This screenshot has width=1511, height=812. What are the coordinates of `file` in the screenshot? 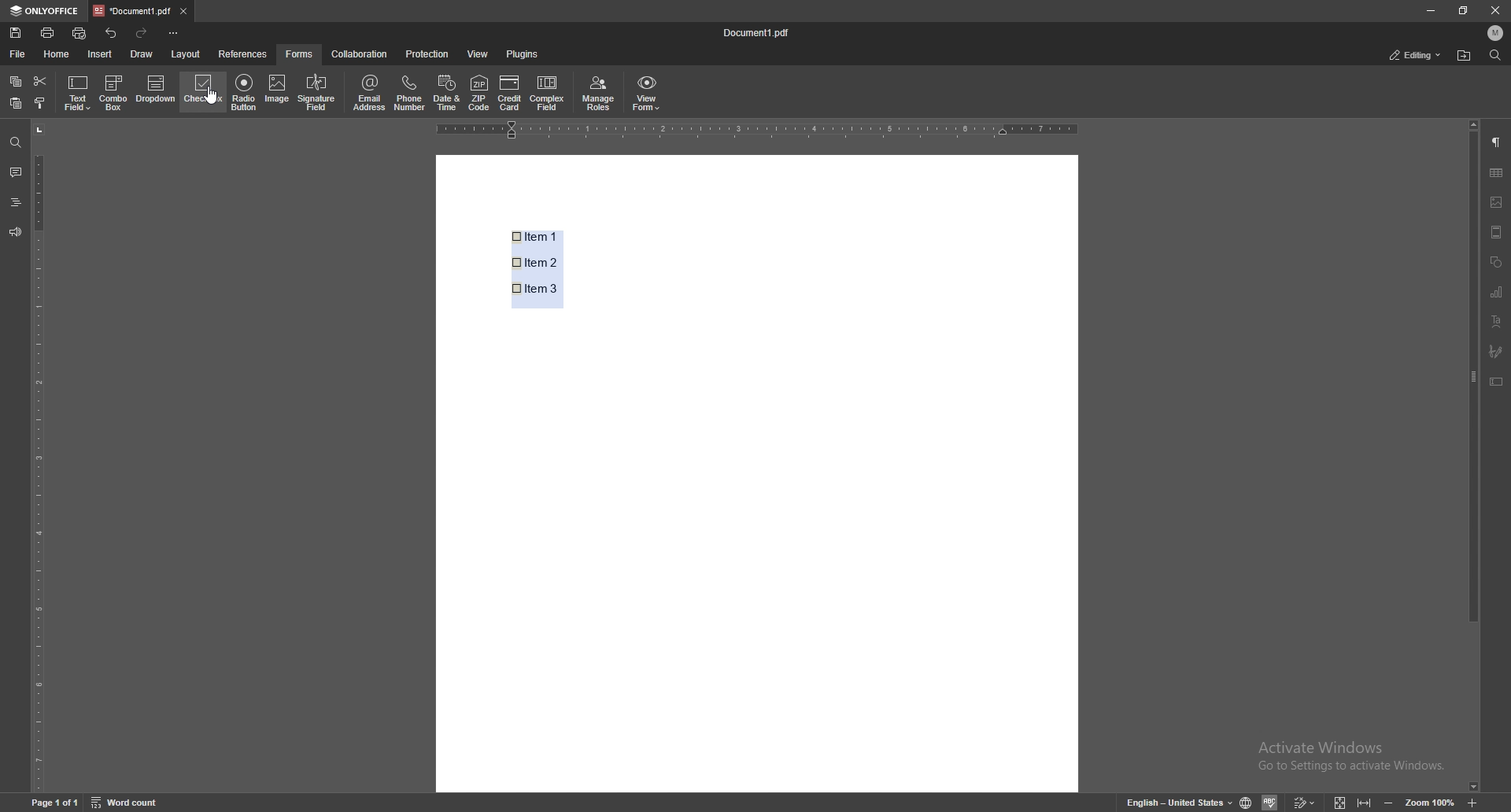 It's located at (19, 54).